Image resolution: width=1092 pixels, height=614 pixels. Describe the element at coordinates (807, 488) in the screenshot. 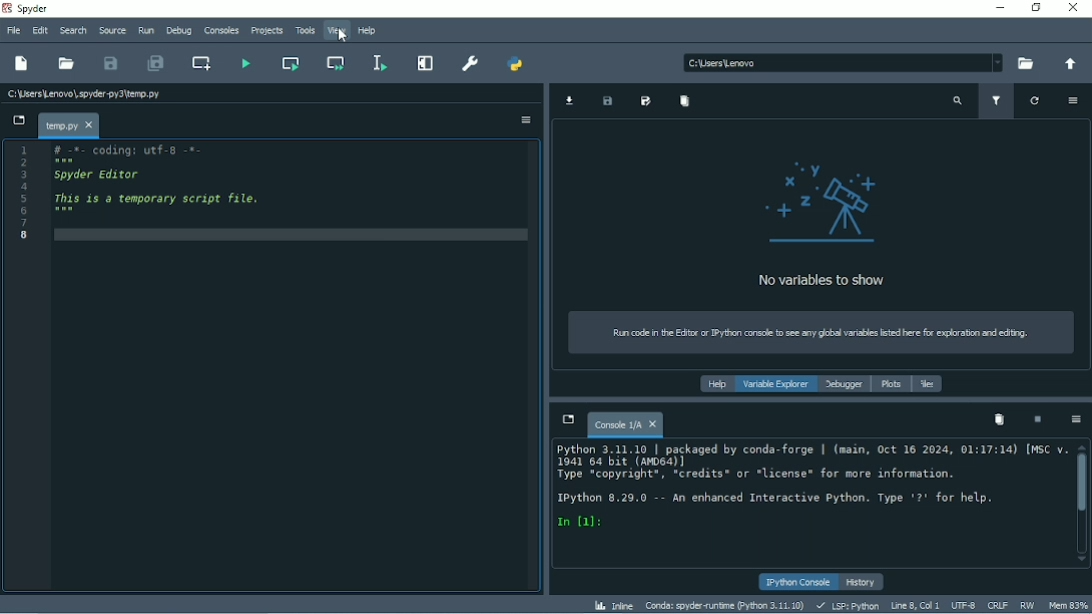

I see `Console` at that location.